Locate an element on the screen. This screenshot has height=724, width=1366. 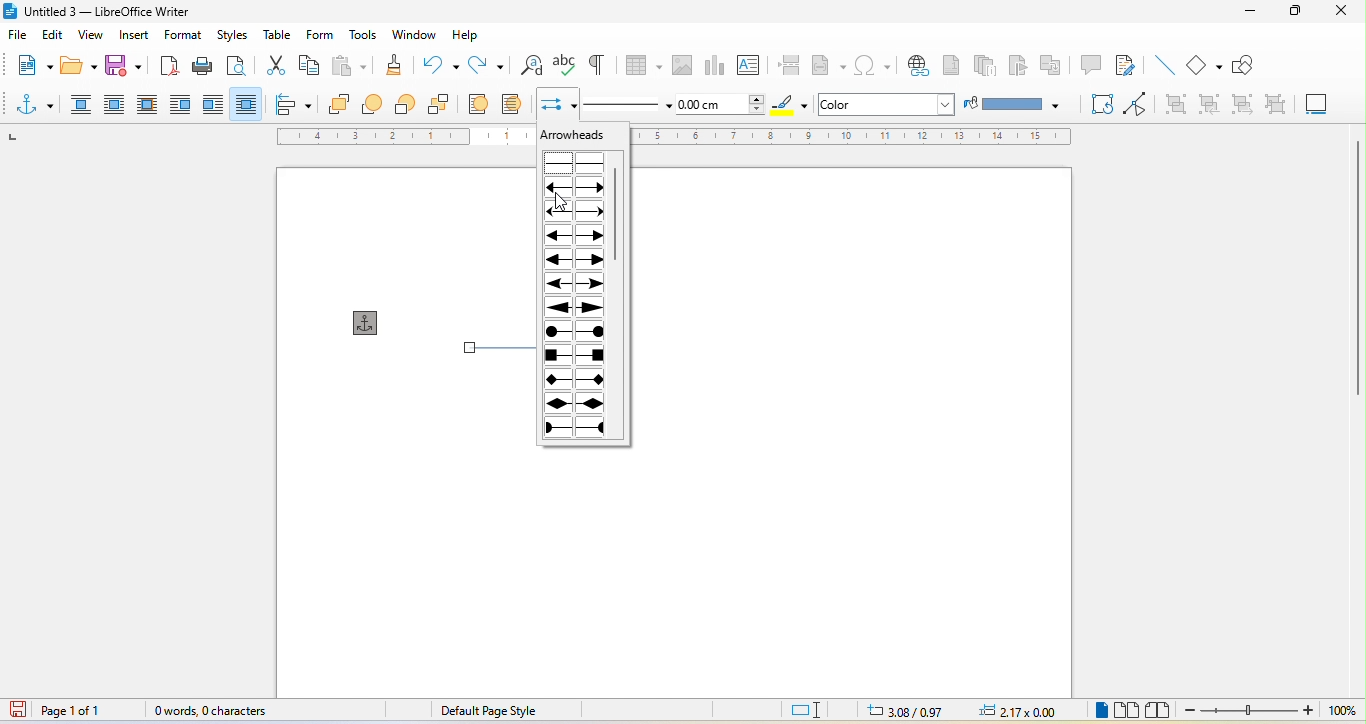
forward one is located at coordinates (377, 105).